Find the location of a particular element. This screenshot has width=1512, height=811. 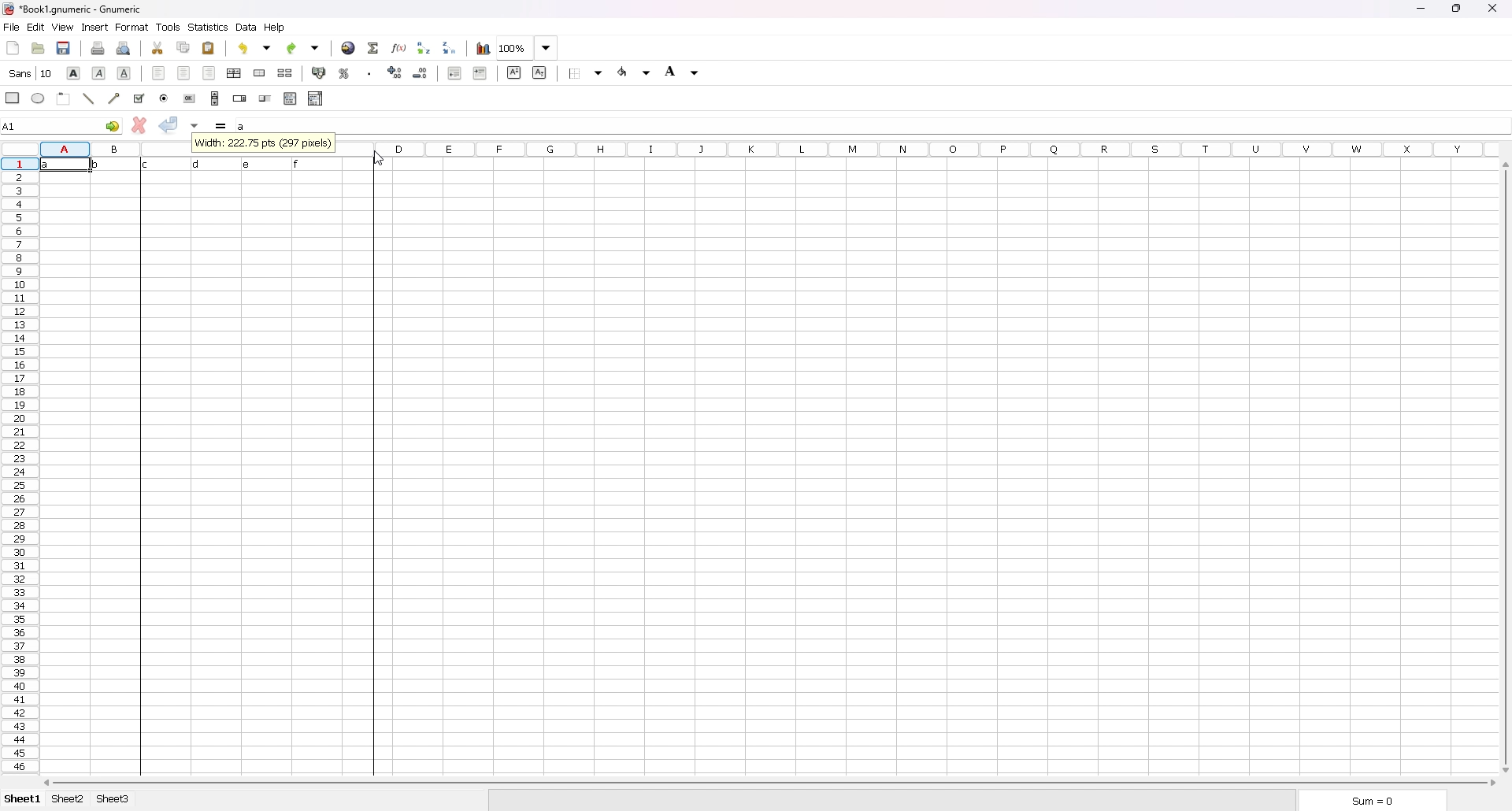

scroll bar is located at coordinates (1506, 468).